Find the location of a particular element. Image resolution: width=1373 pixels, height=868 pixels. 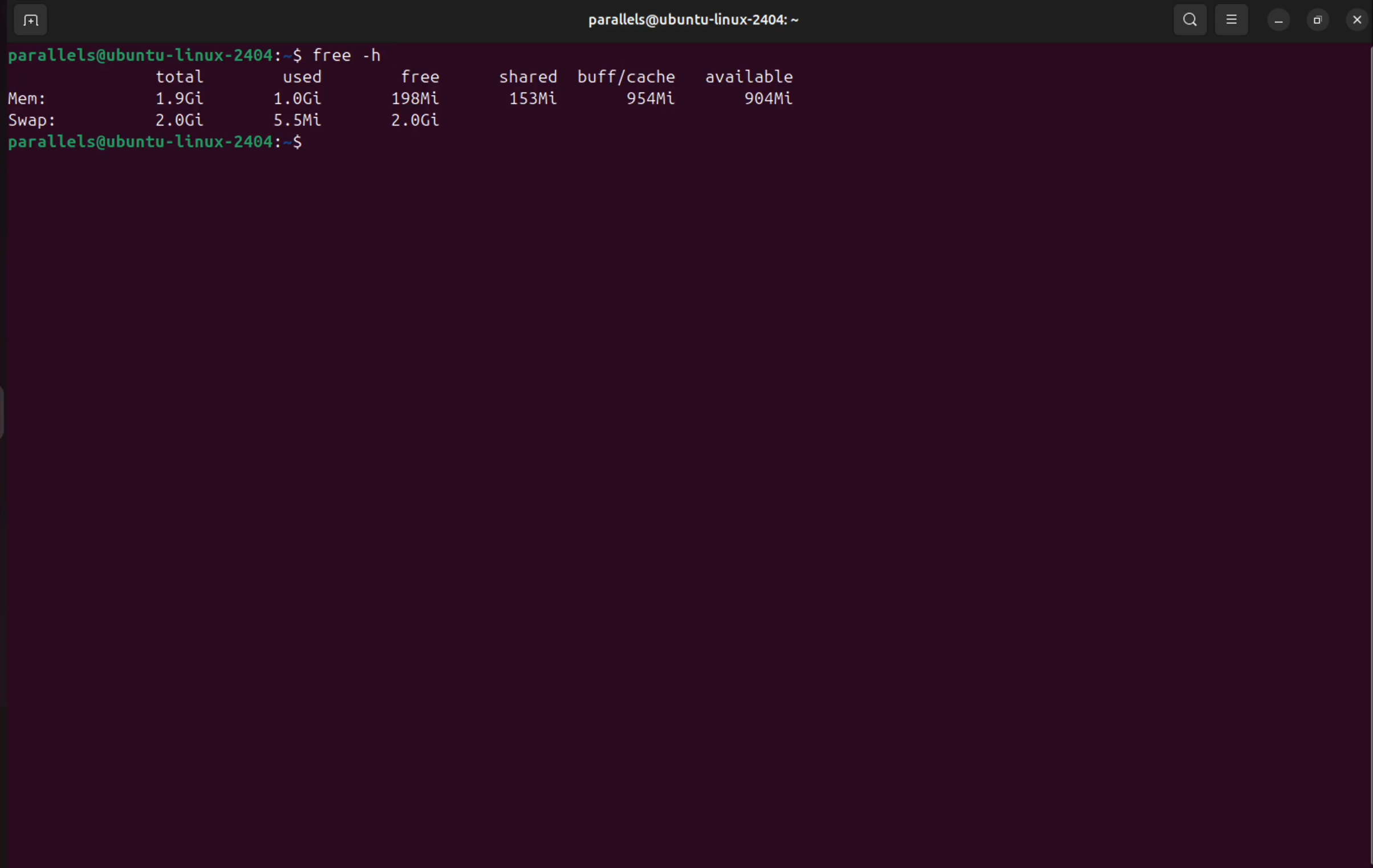

198 Mi is located at coordinates (416, 99).